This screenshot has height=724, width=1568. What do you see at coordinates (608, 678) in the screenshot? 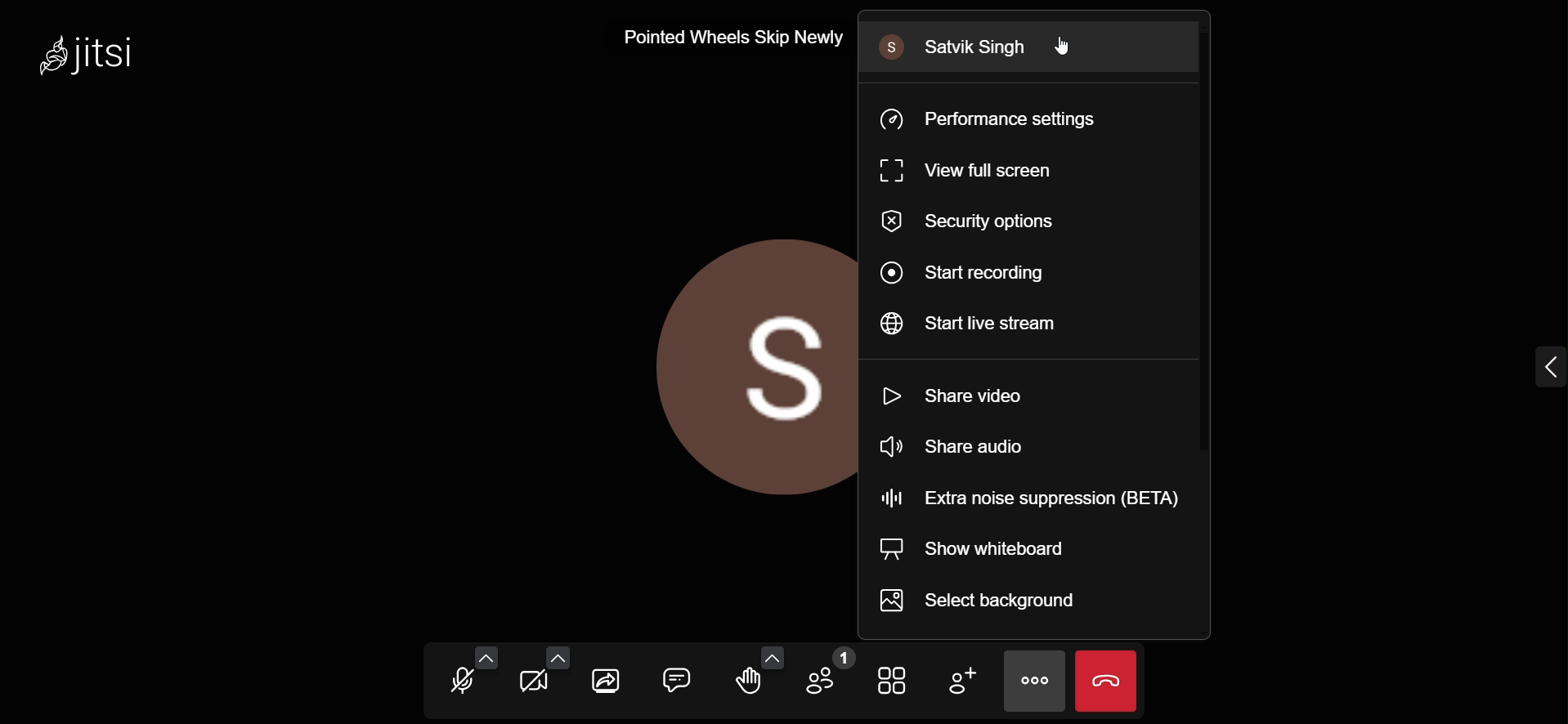
I see `share your screen` at bounding box center [608, 678].